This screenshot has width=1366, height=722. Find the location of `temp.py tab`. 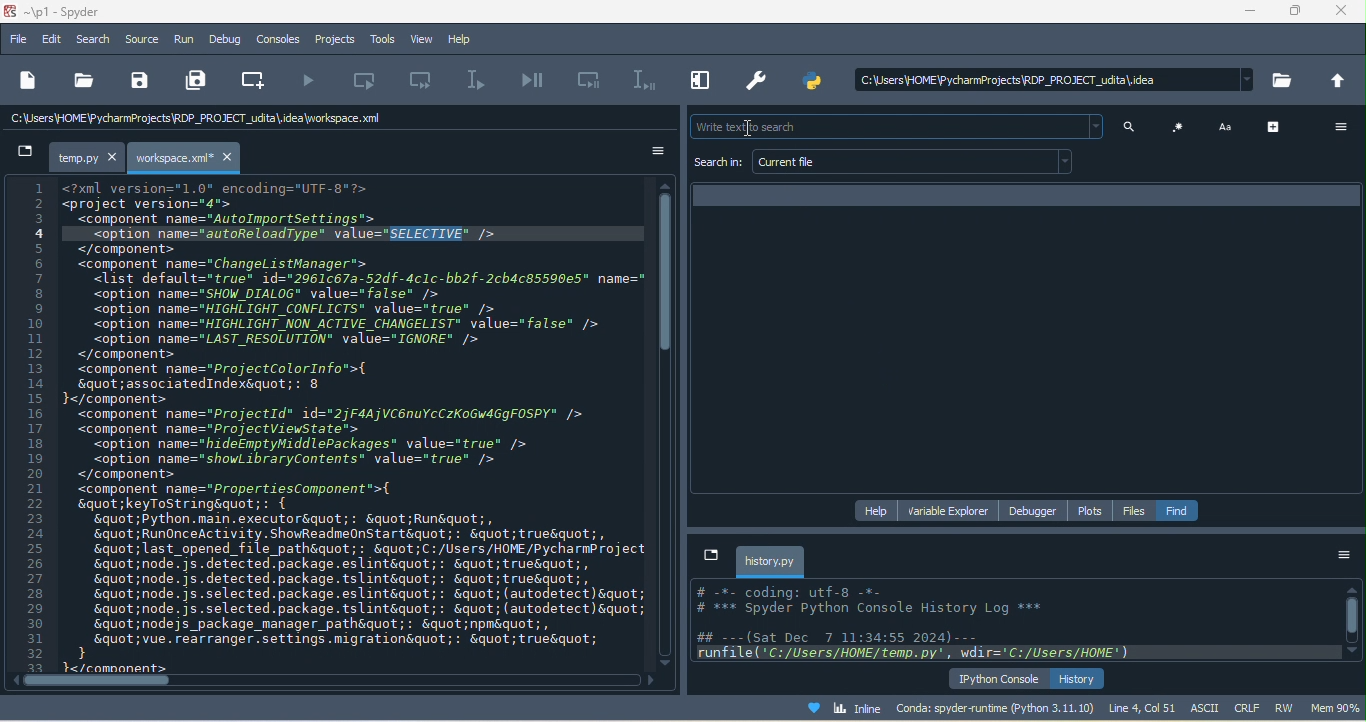

temp.py tab is located at coordinates (88, 158).